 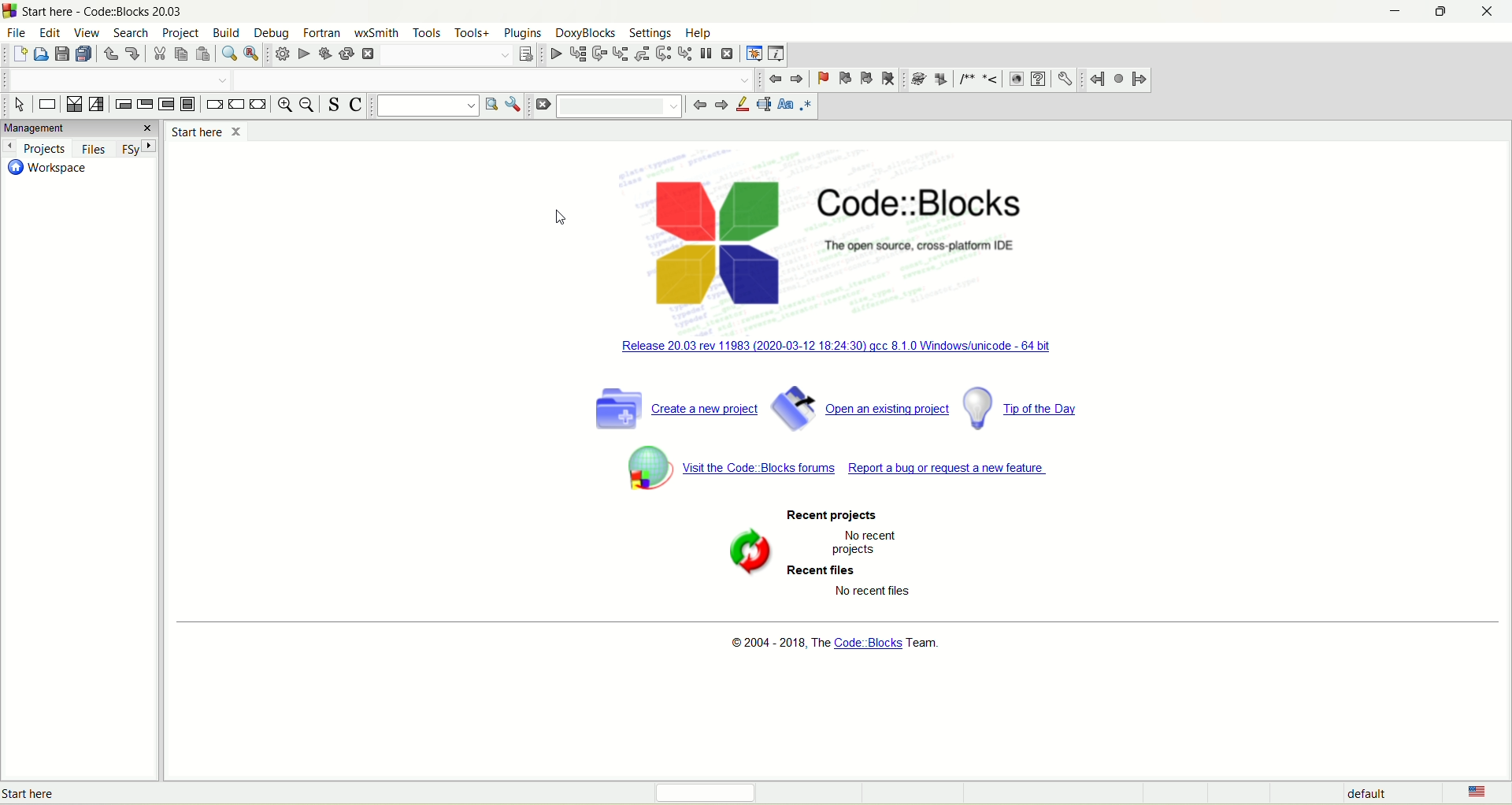 I want to click on continue instruction, so click(x=237, y=106).